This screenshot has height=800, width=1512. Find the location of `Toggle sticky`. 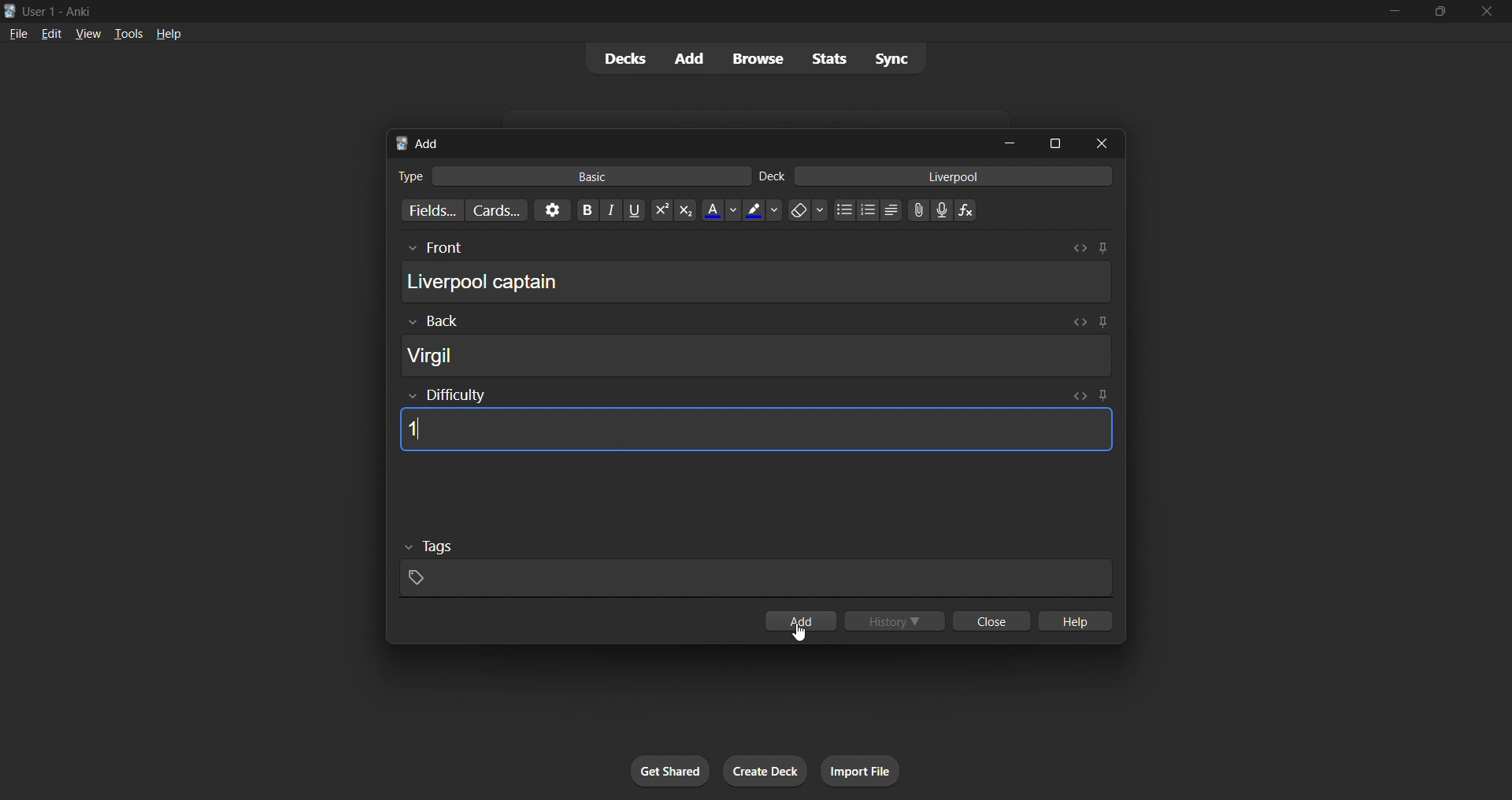

Toggle sticky is located at coordinates (1102, 397).